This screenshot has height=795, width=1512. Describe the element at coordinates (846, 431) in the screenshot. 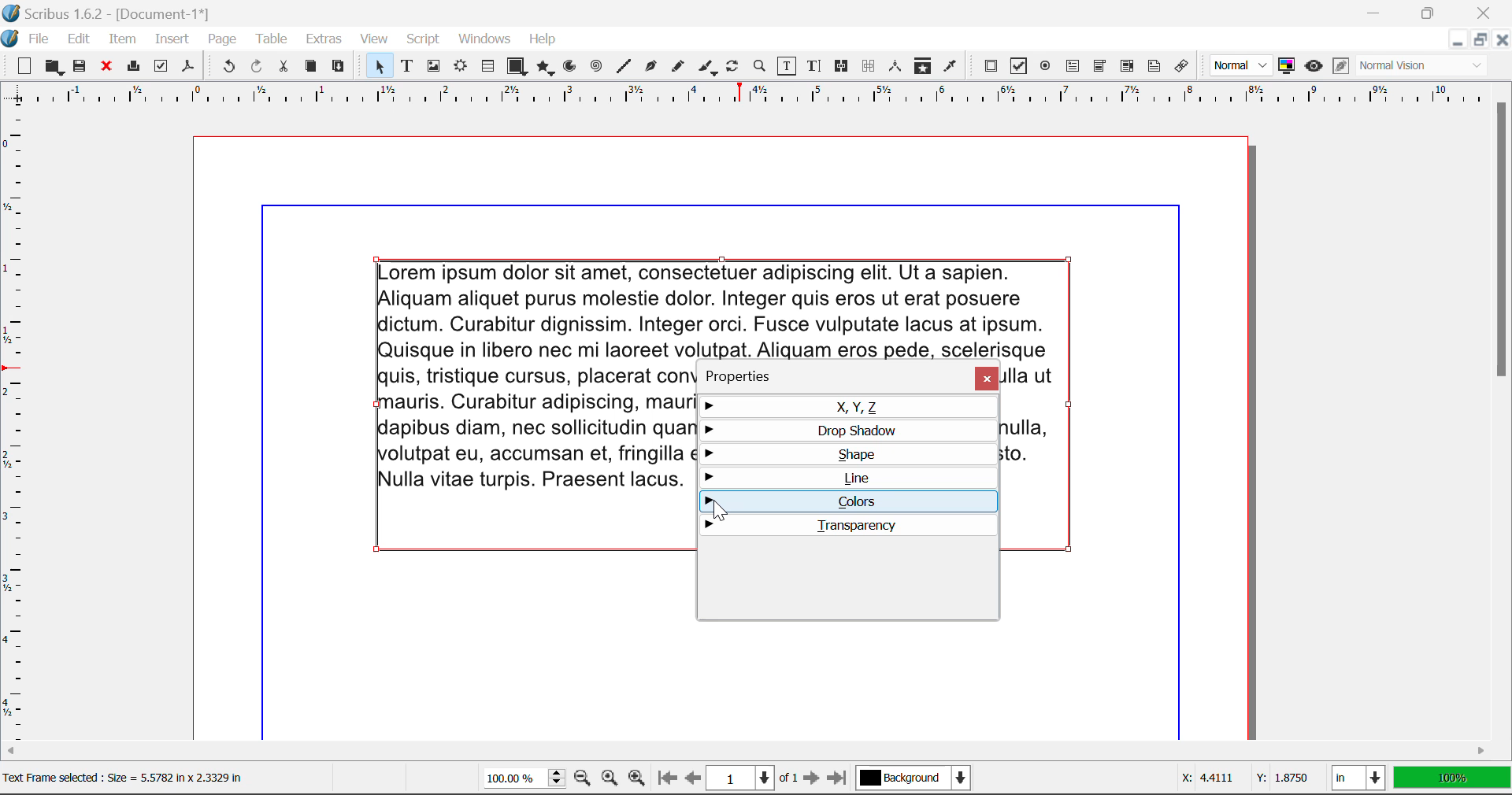

I see `Drop Shadow` at that location.